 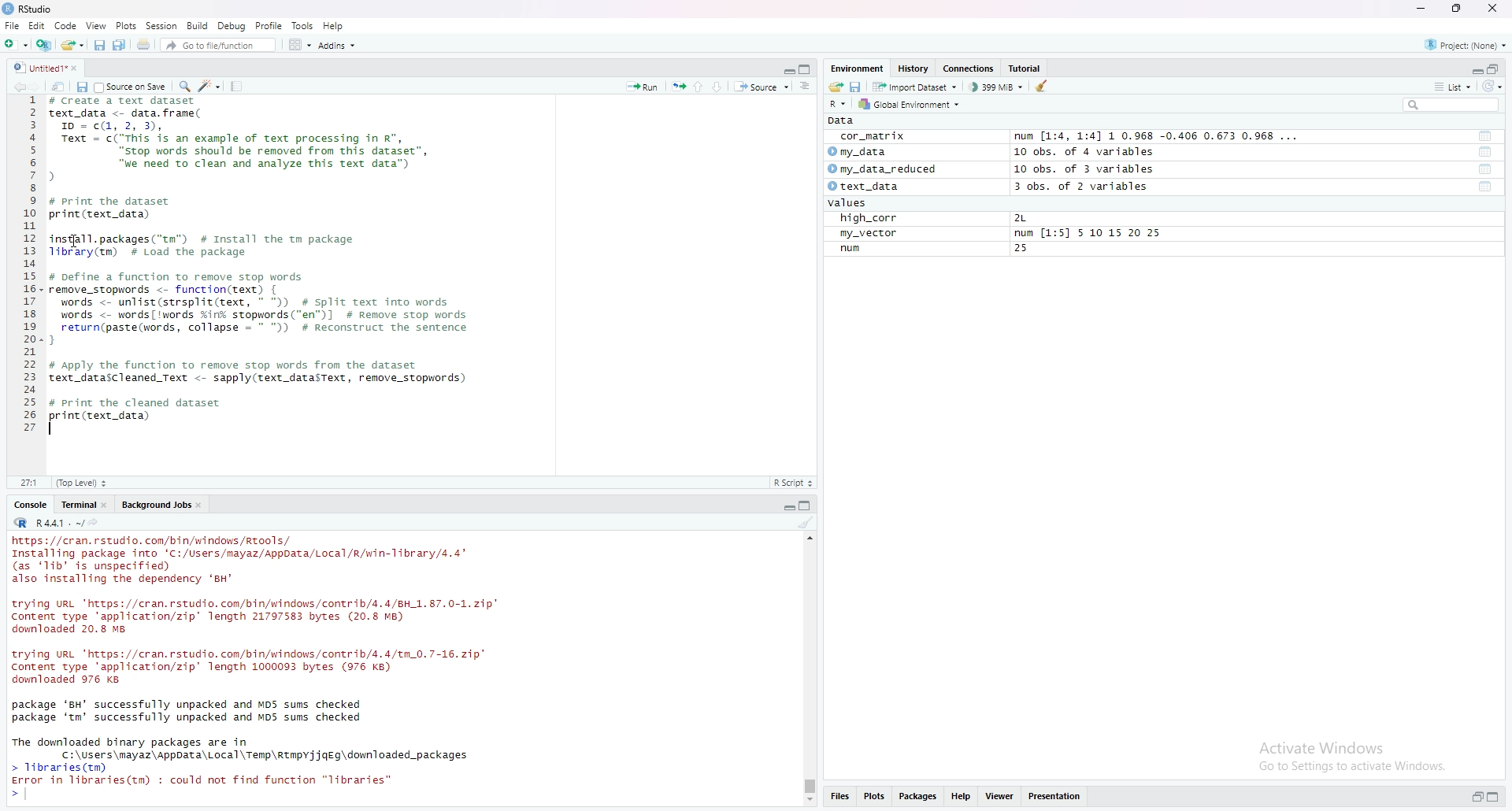 I want to click on session, so click(x=161, y=25).